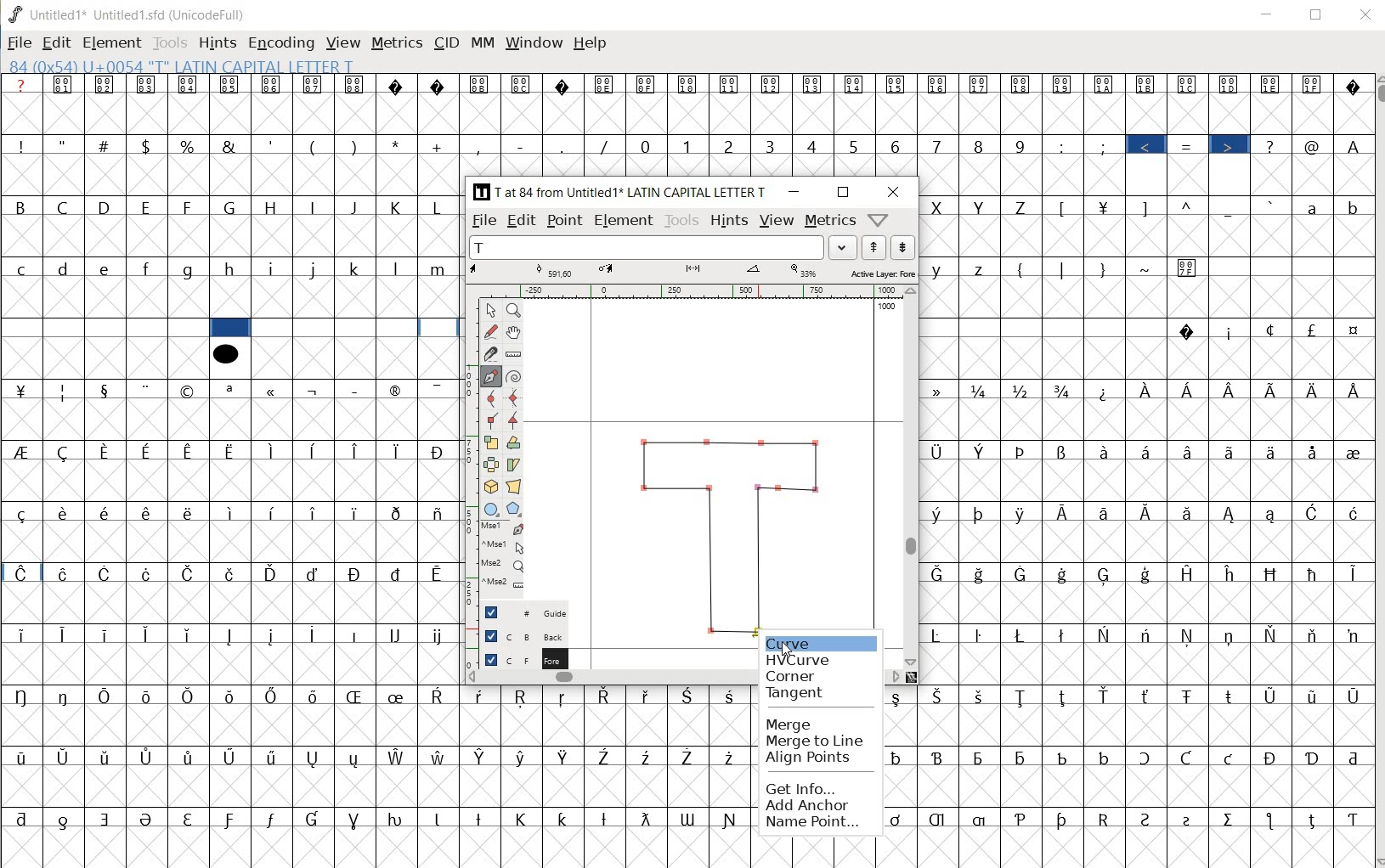 Image resolution: width=1385 pixels, height=868 pixels. What do you see at coordinates (150, 696) in the screenshot?
I see `Symbol` at bounding box center [150, 696].